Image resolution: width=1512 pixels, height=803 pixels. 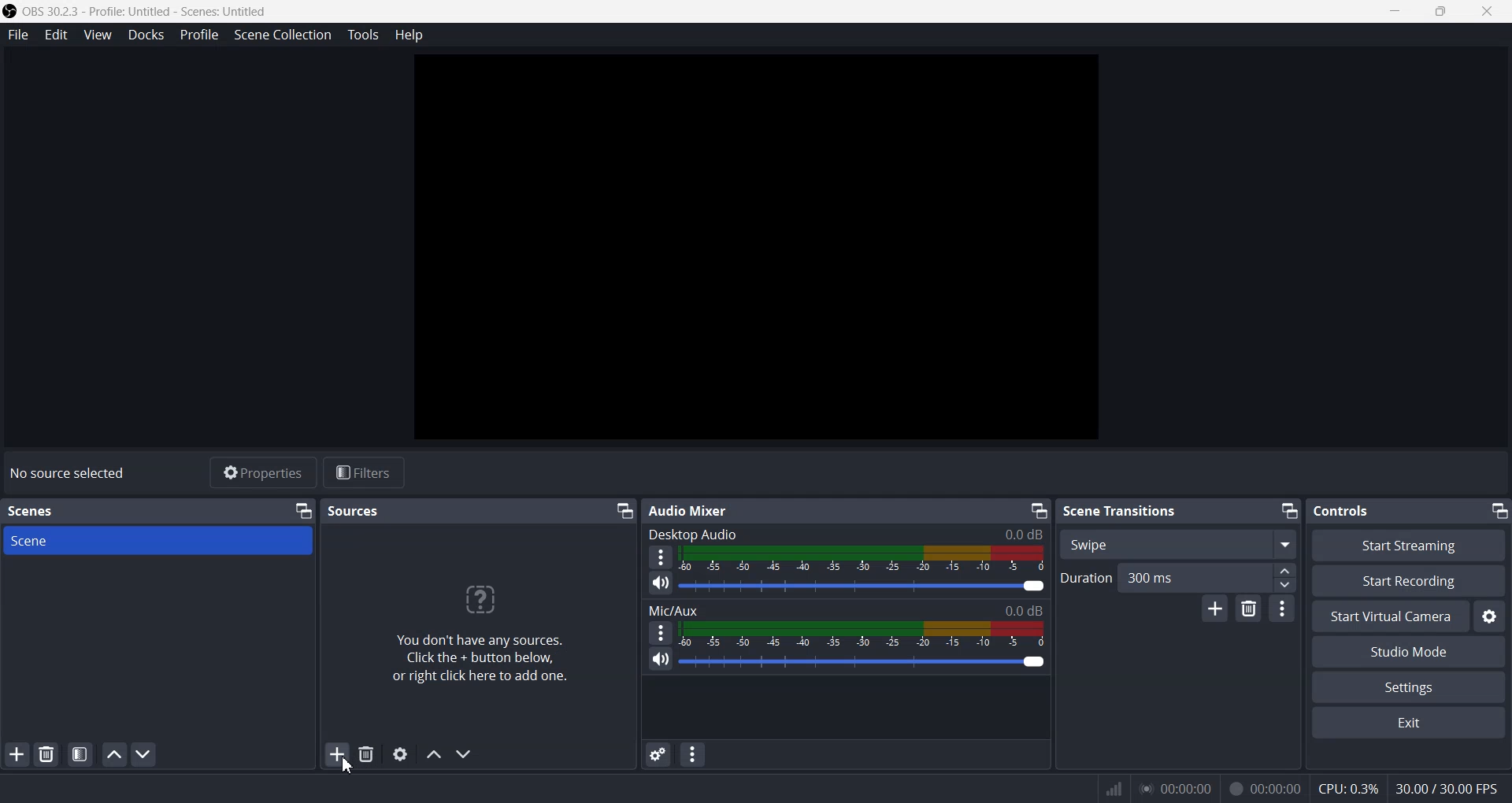 What do you see at coordinates (1488, 13) in the screenshot?
I see `Close` at bounding box center [1488, 13].